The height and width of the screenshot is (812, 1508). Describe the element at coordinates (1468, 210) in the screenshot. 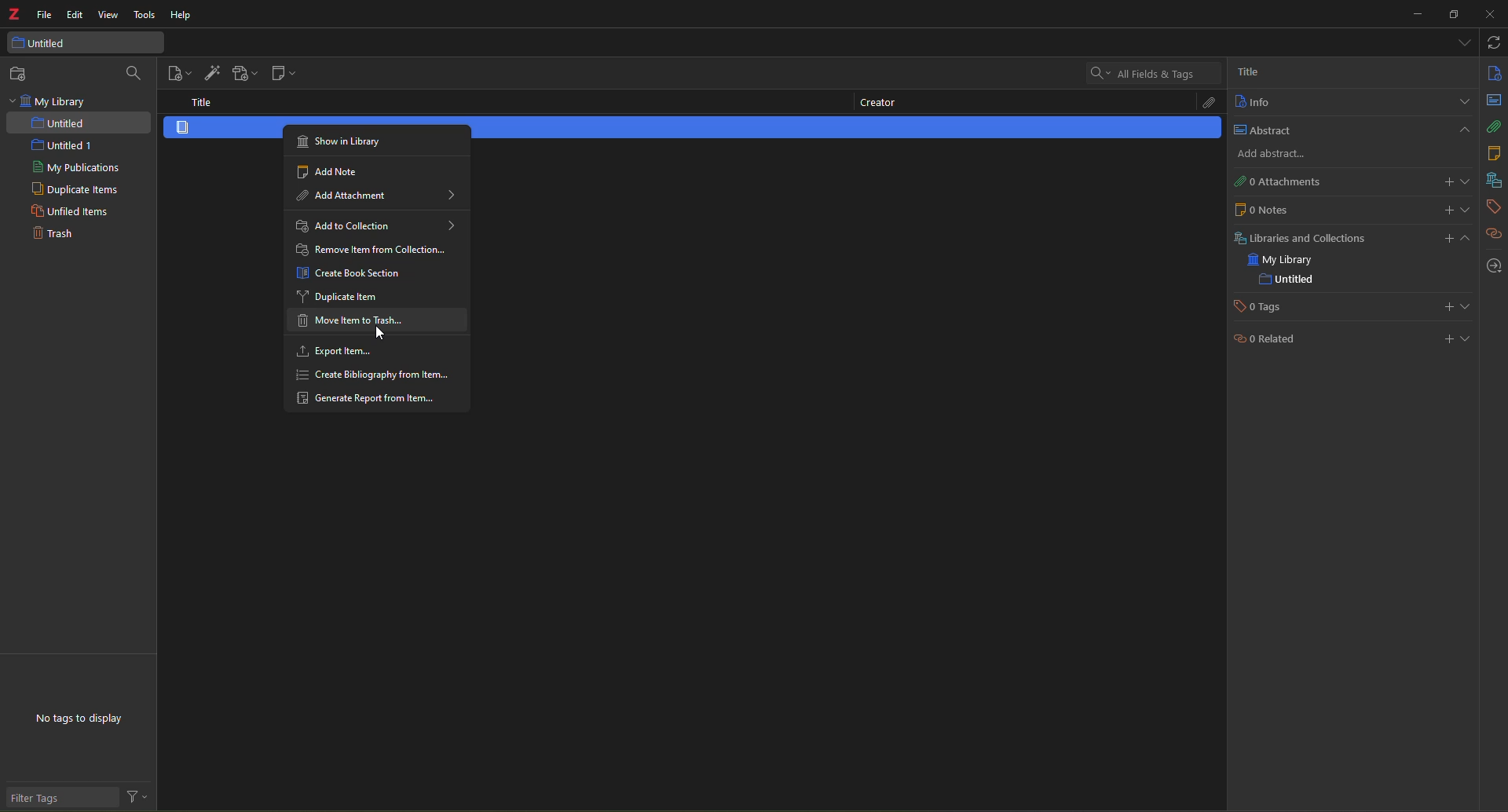

I see `expand` at that location.